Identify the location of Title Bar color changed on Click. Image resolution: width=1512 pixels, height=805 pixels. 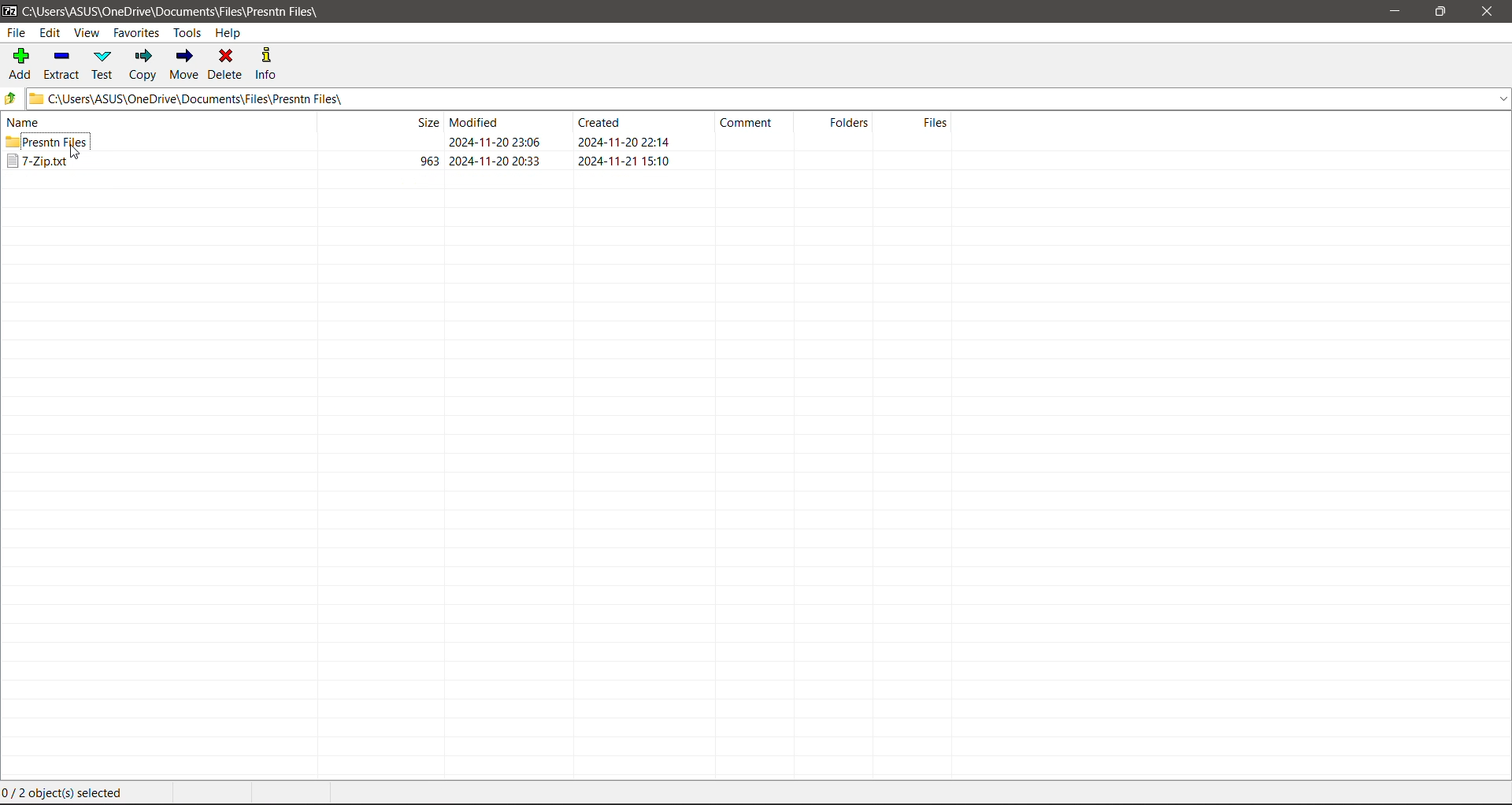
(547, 10).